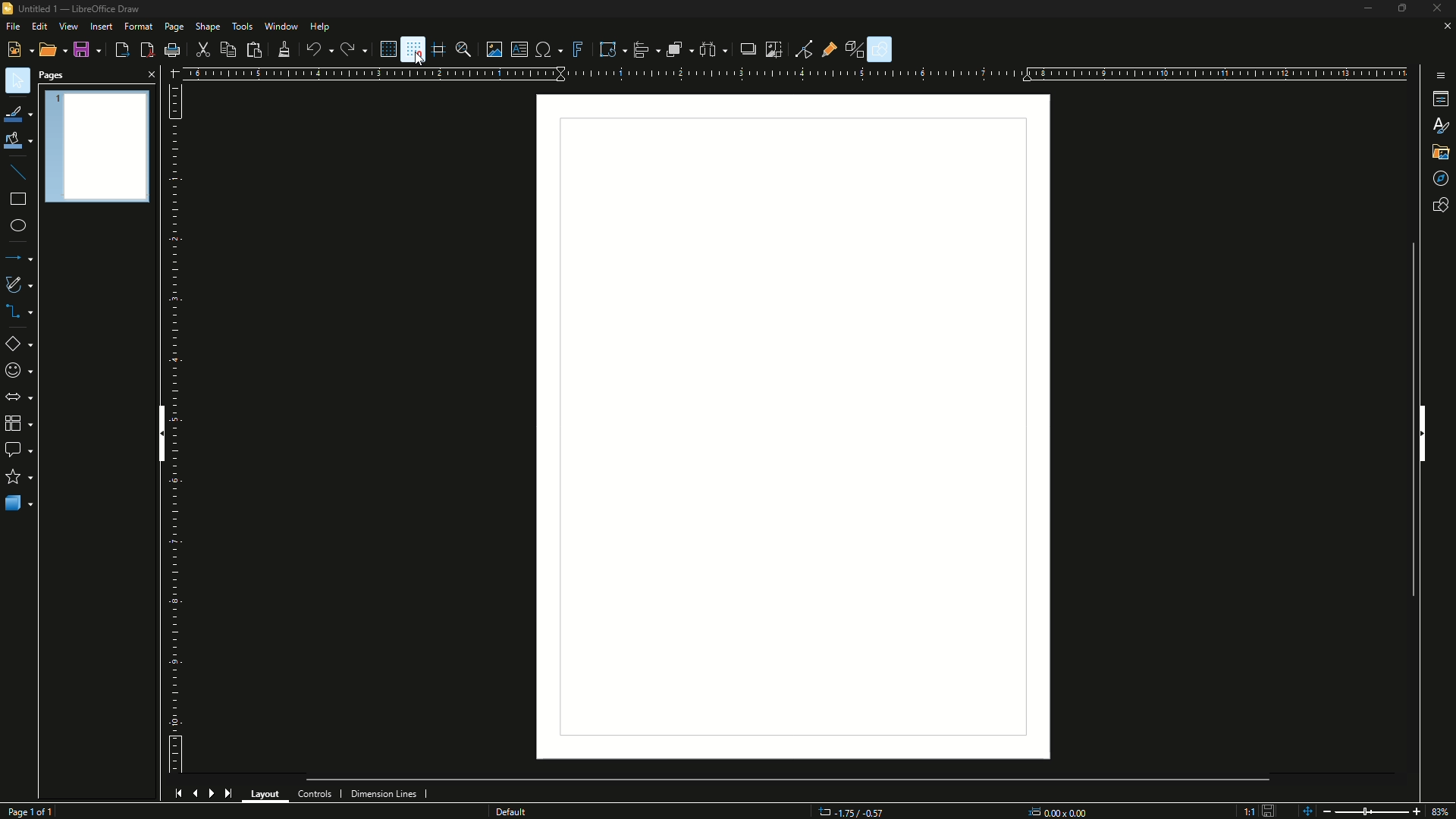  I want to click on Scroll, so click(1413, 414).